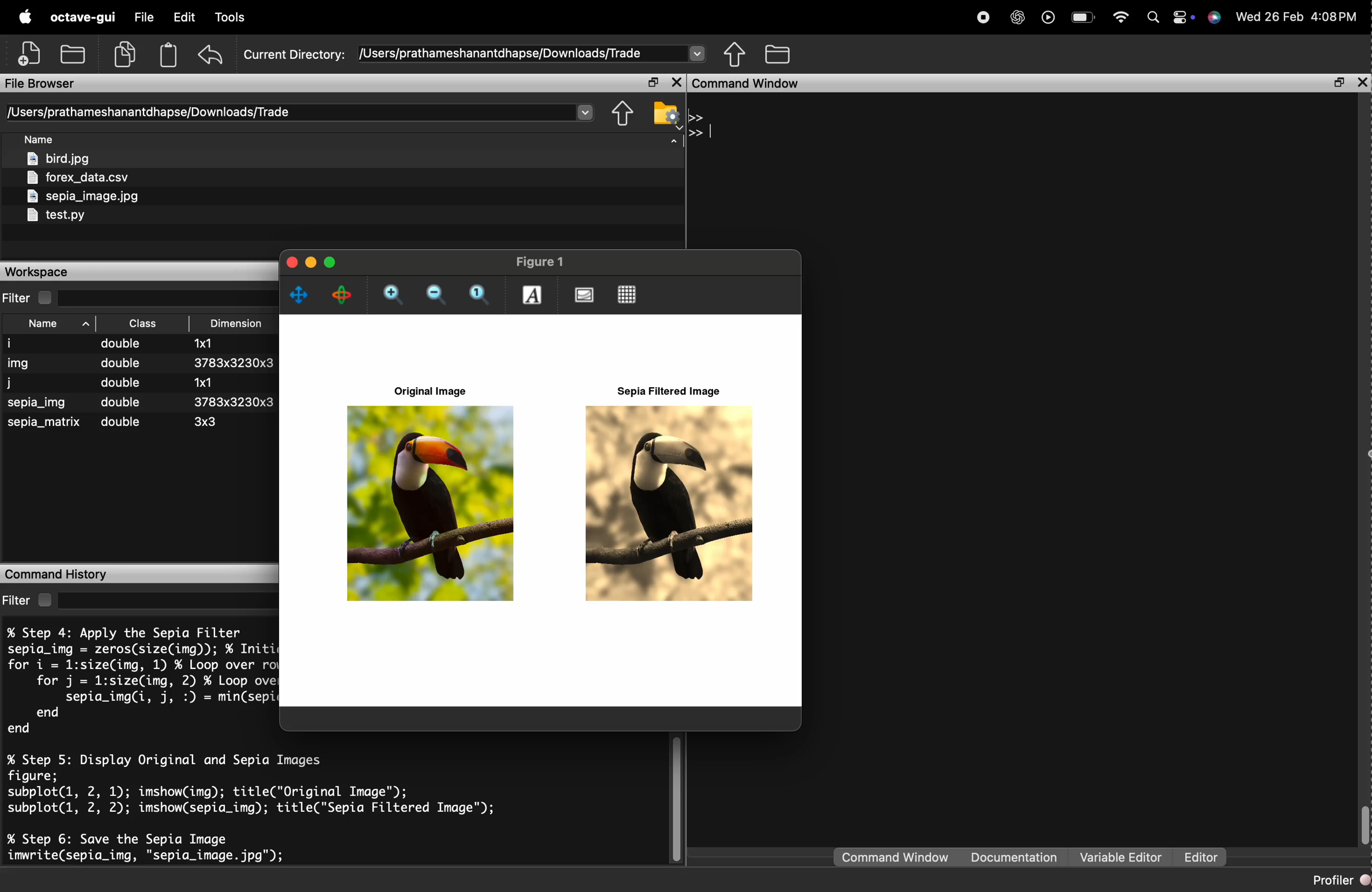 The height and width of the screenshot is (892, 1372). I want to click on end end, so click(35, 719).